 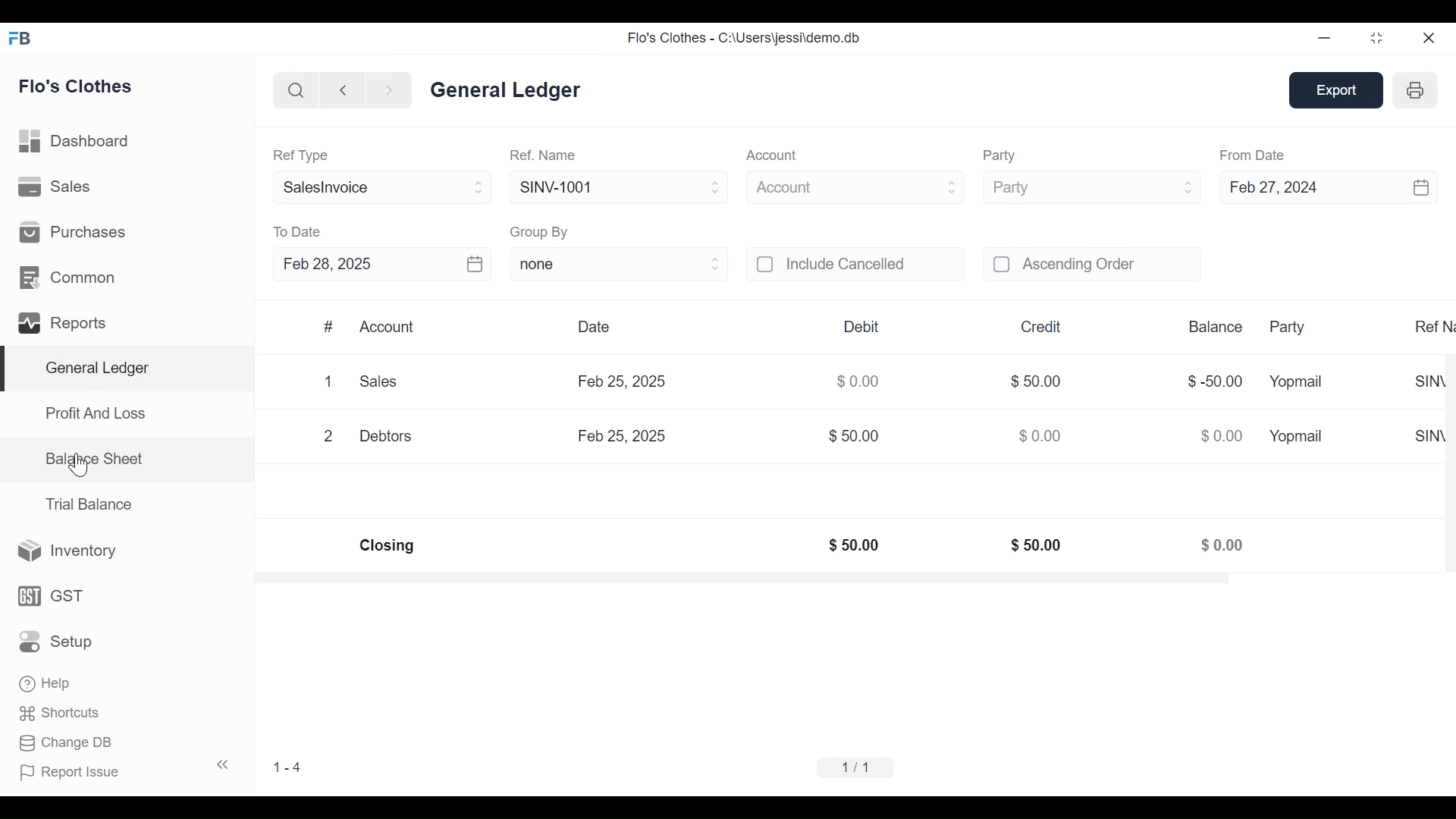 I want to click on SINV-1001, so click(x=619, y=186).